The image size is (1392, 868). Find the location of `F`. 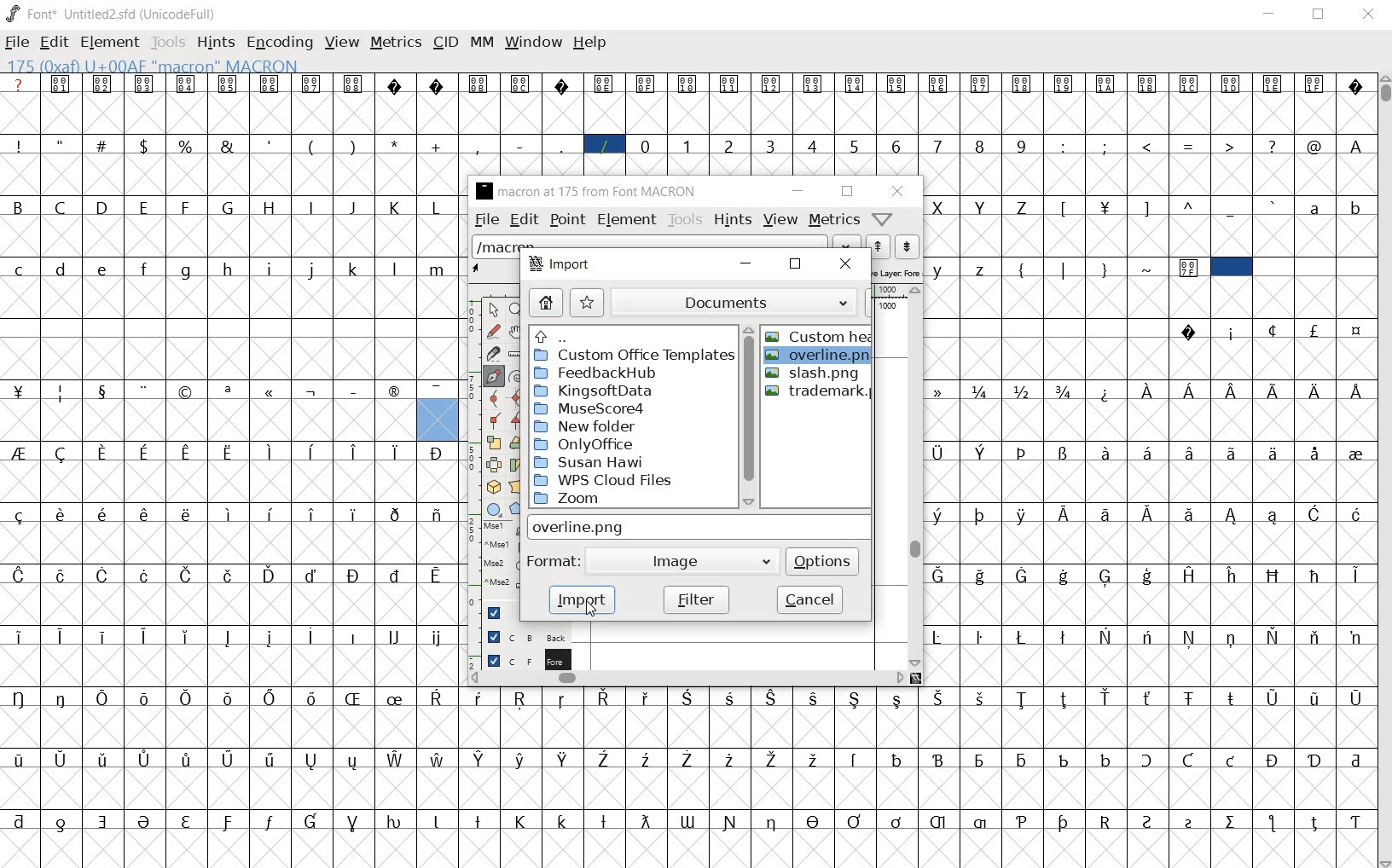

F is located at coordinates (188, 206).